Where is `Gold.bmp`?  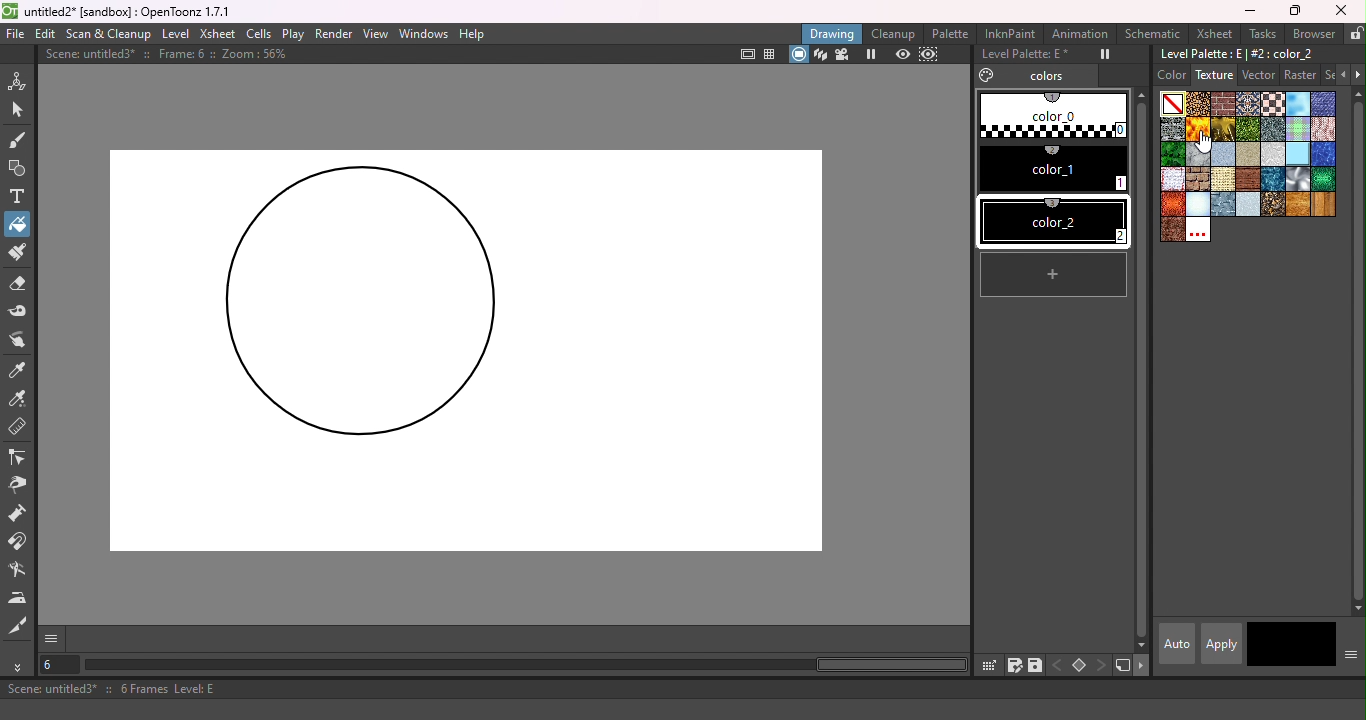 Gold.bmp is located at coordinates (1224, 129).